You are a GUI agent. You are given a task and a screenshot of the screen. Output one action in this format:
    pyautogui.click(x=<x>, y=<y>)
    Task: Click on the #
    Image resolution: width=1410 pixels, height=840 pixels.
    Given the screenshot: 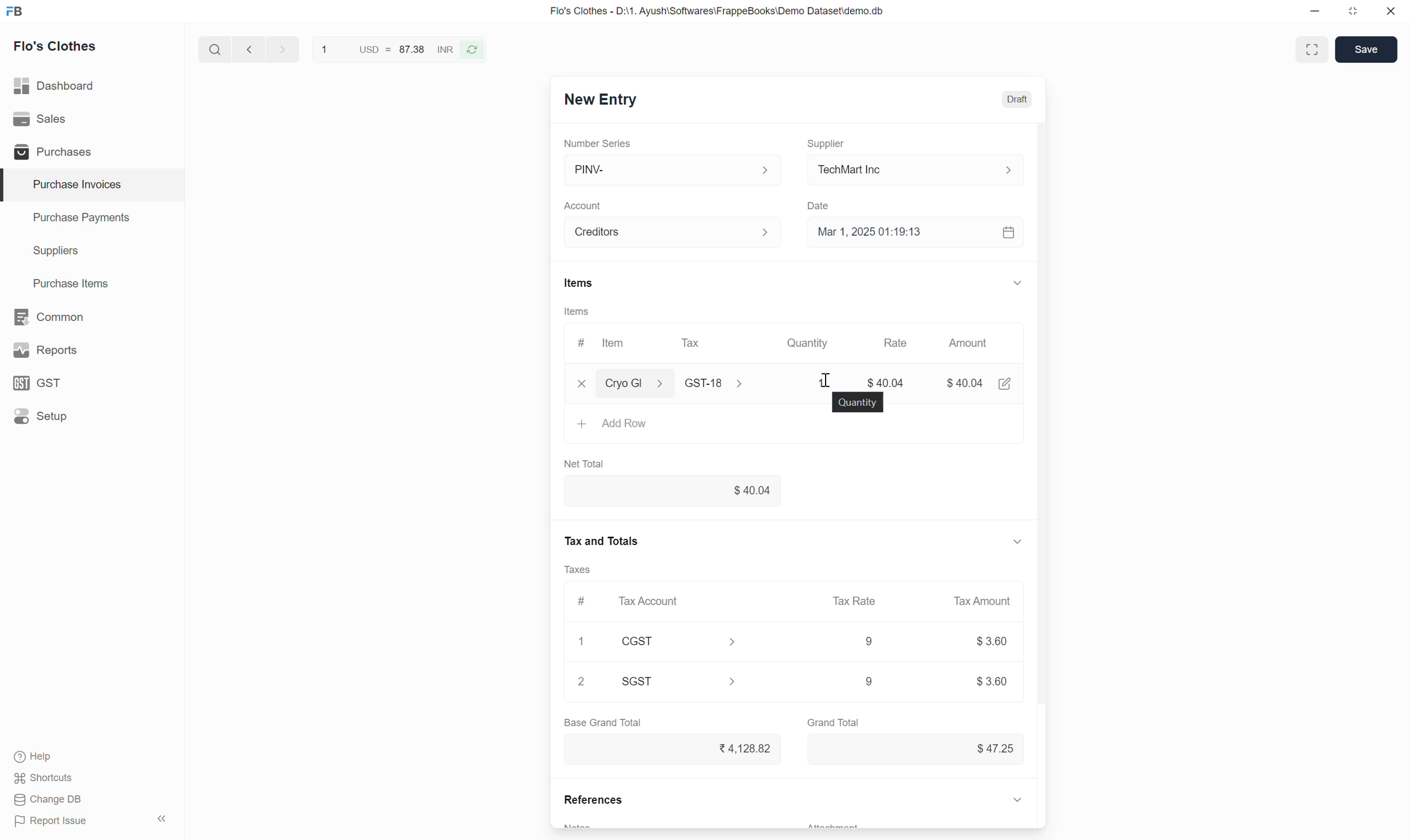 What is the action you would take?
    pyautogui.click(x=581, y=599)
    